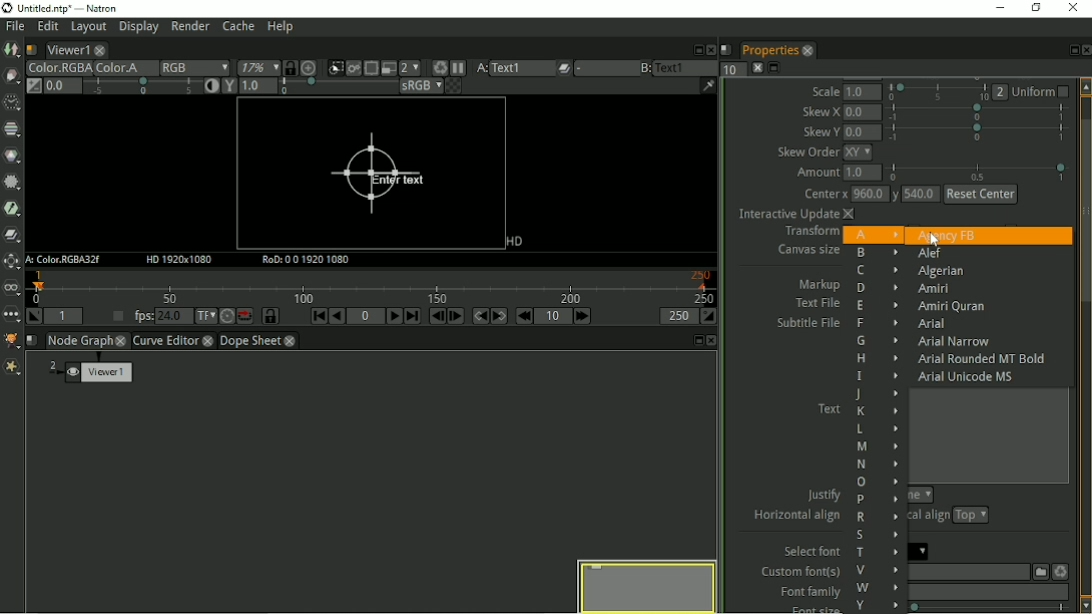 This screenshot has width=1092, height=614. Describe the element at coordinates (808, 233) in the screenshot. I see `Transform` at that location.